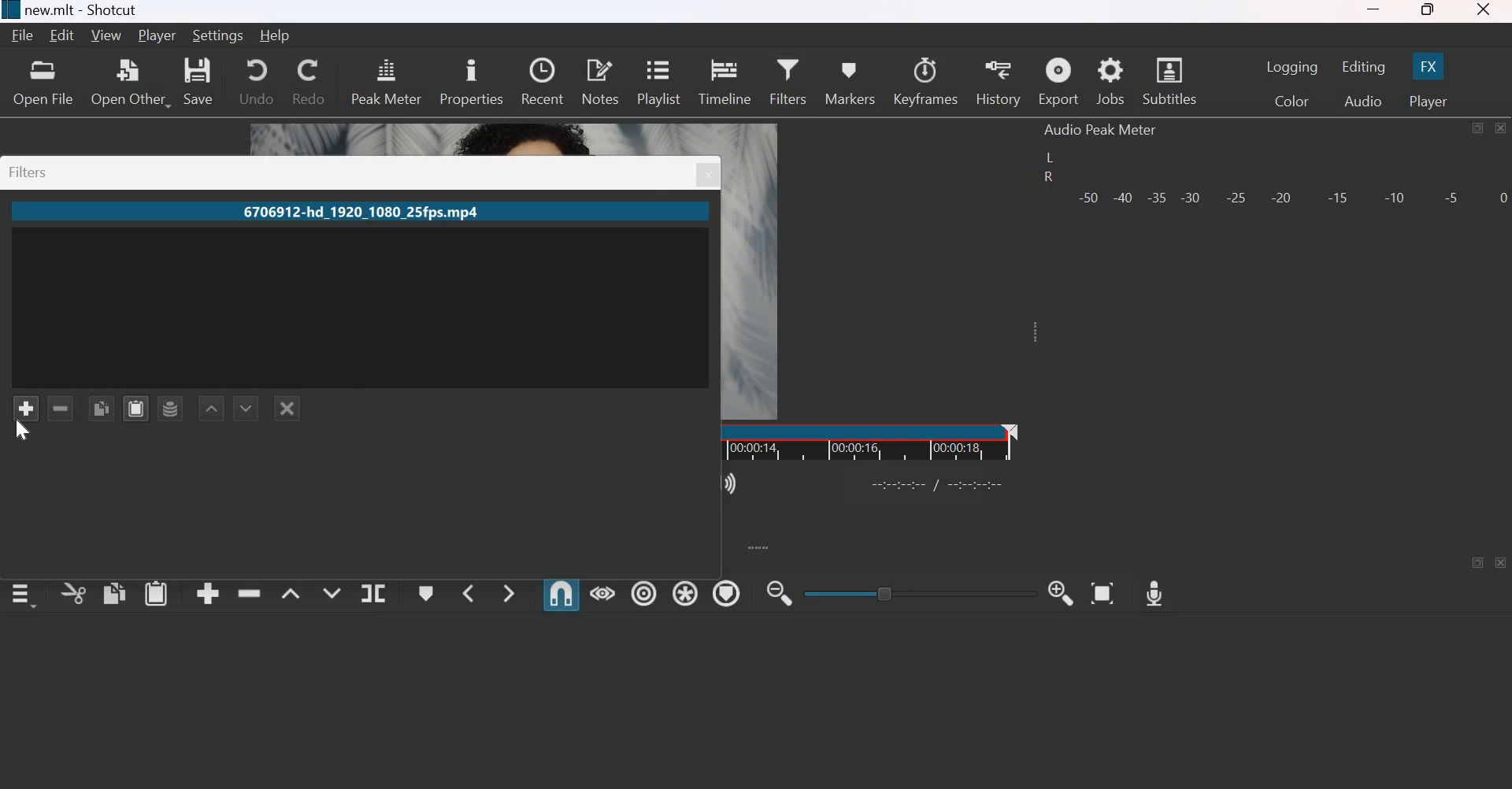 The width and height of the screenshot is (1512, 789). Describe the element at coordinates (34, 172) in the screenshot. I see `Filters` at that location.